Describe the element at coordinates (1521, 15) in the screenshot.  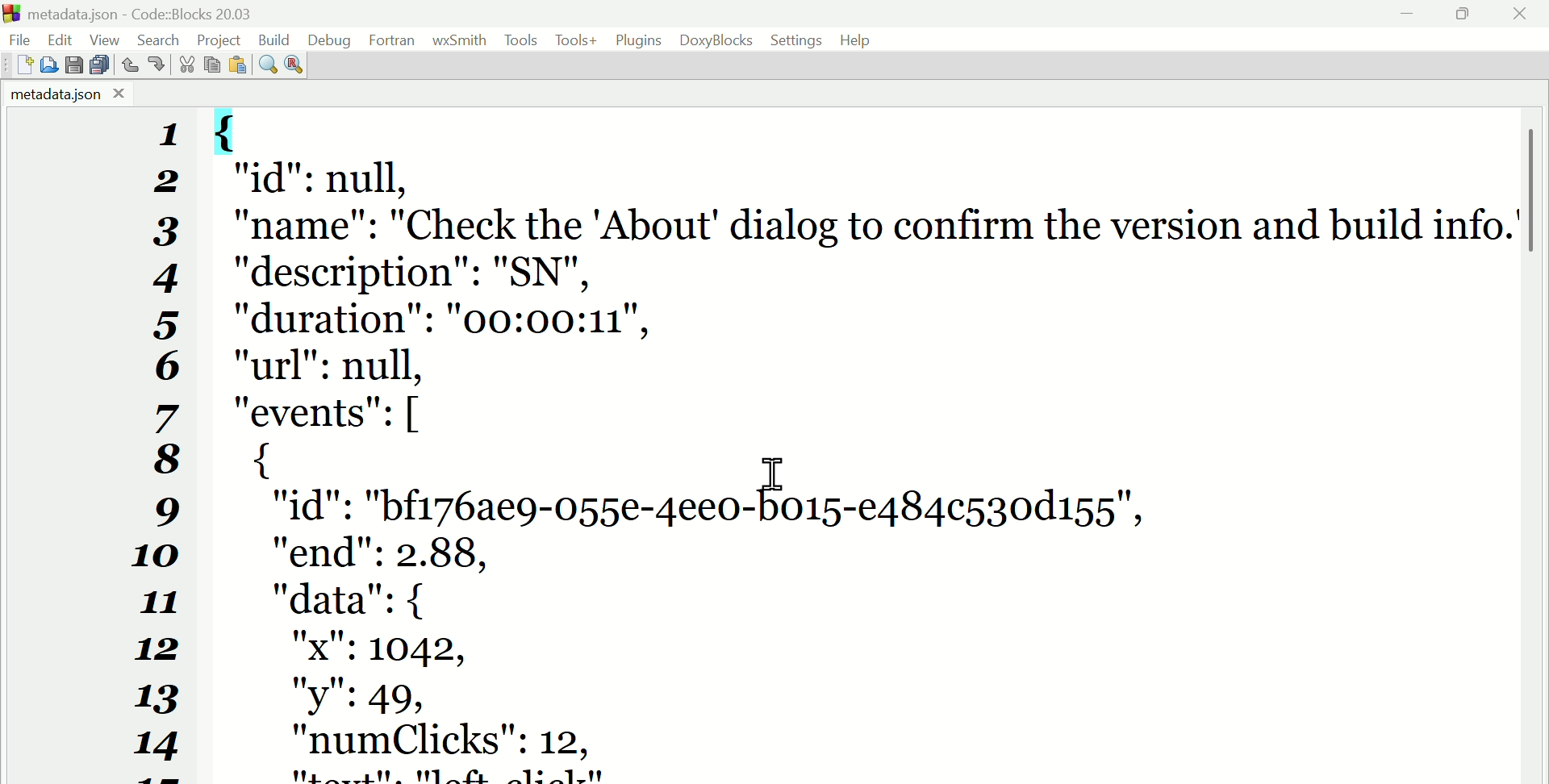
I see `Close` at that location.